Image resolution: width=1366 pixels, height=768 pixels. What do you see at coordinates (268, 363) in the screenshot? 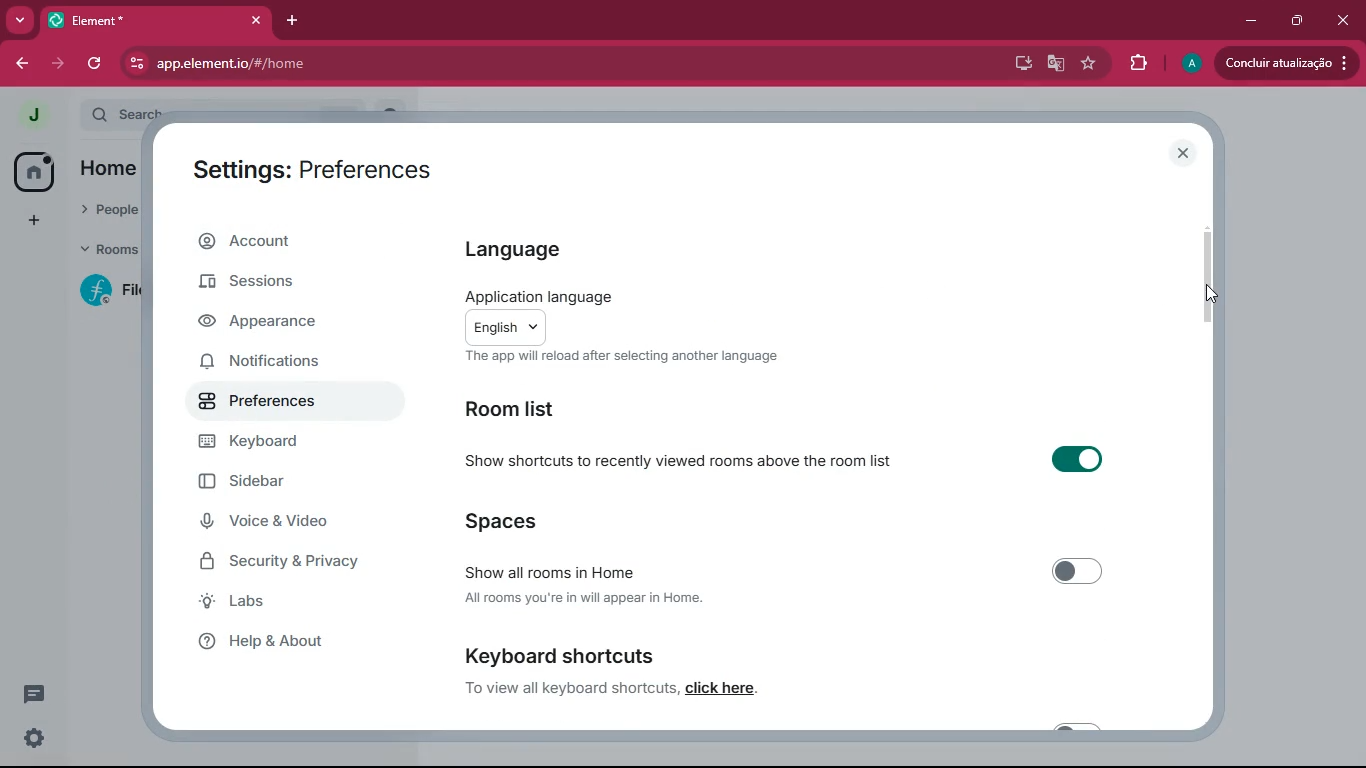
I see `notifications` at bounding box center [268, 363].